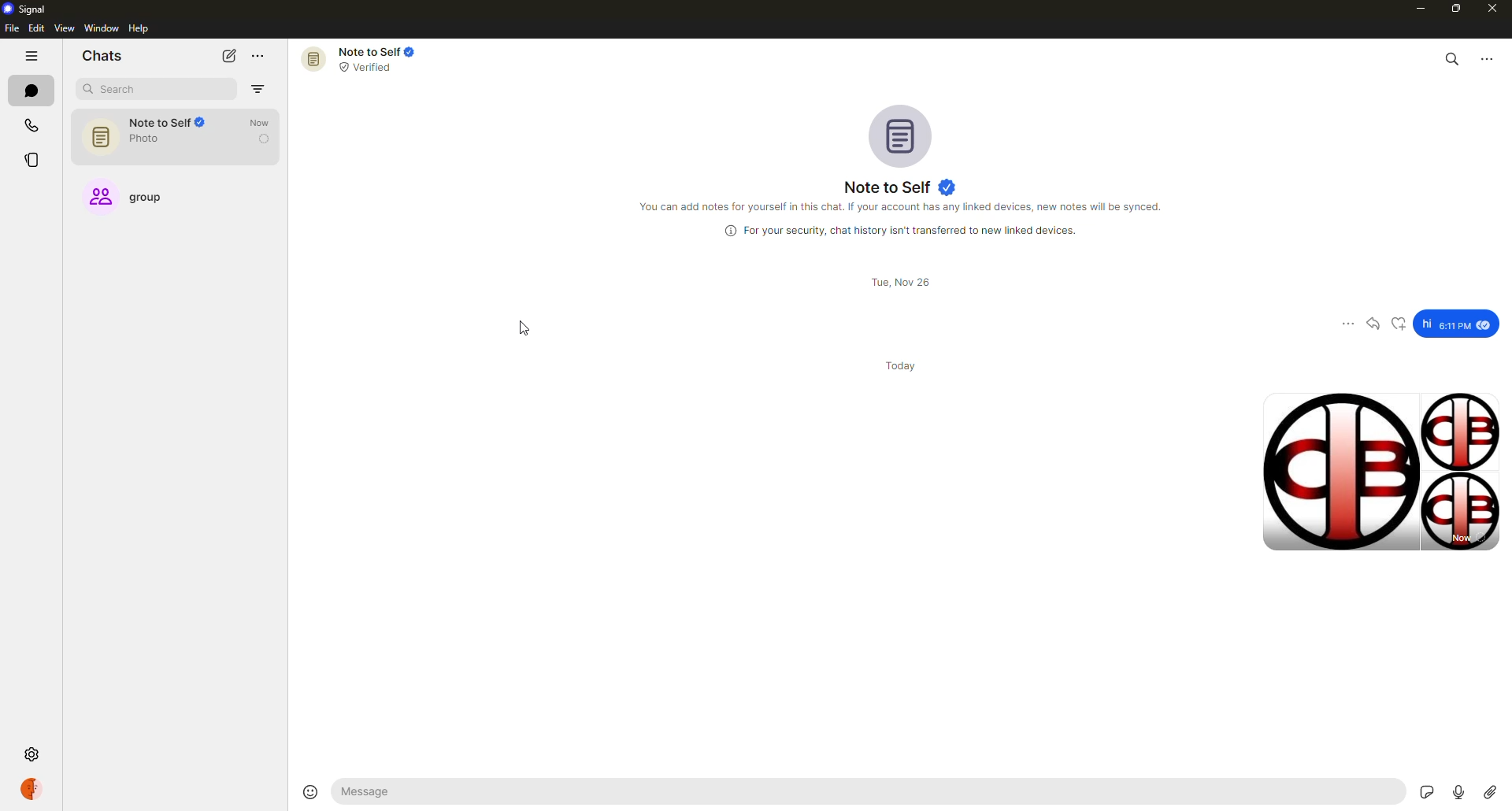 This screenshot has height=811, width=1512. What do you see at coordinates (32, 57) in the screenshot?
I see `hide tabs` at bounding box center [32, 57].